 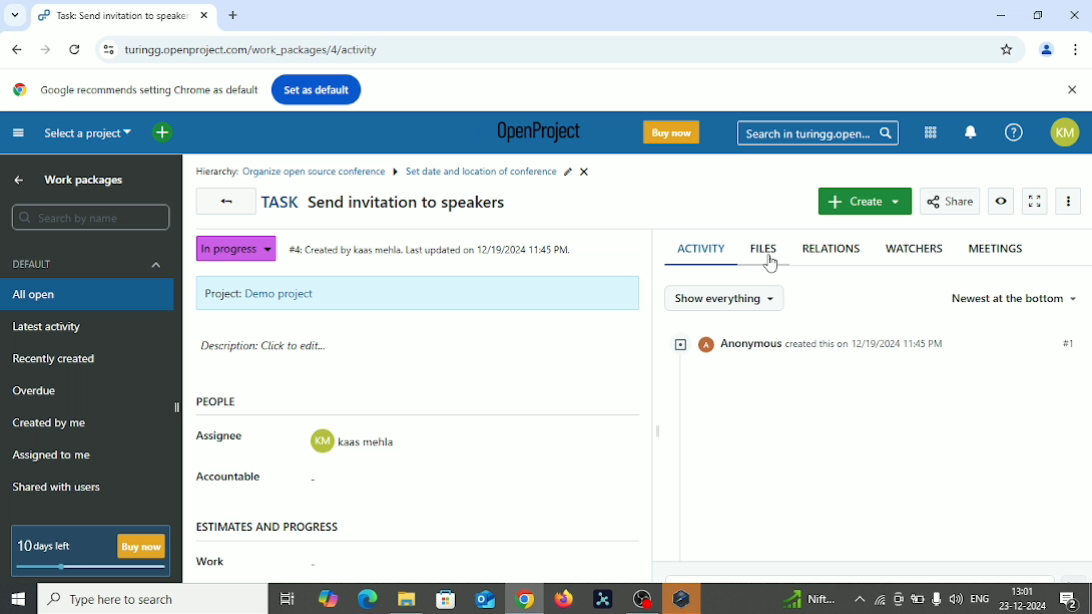 What do you see at coordinates (37, 391) in the screenshot?
I see `Overdue` at bounding box center [37, 391].